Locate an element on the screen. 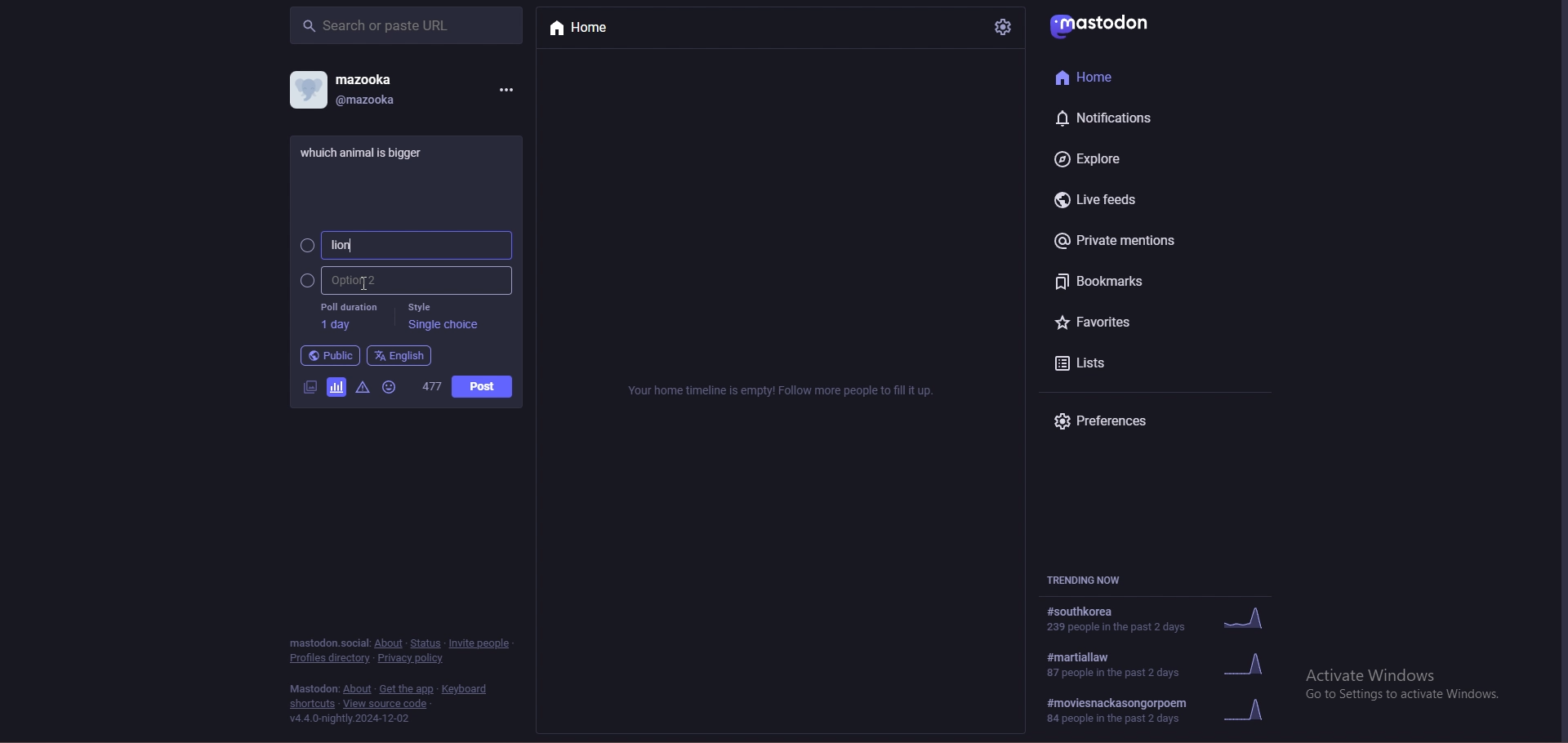 This screenshot has width=1568, height=743. View source code is located at coordinates (390, 704).